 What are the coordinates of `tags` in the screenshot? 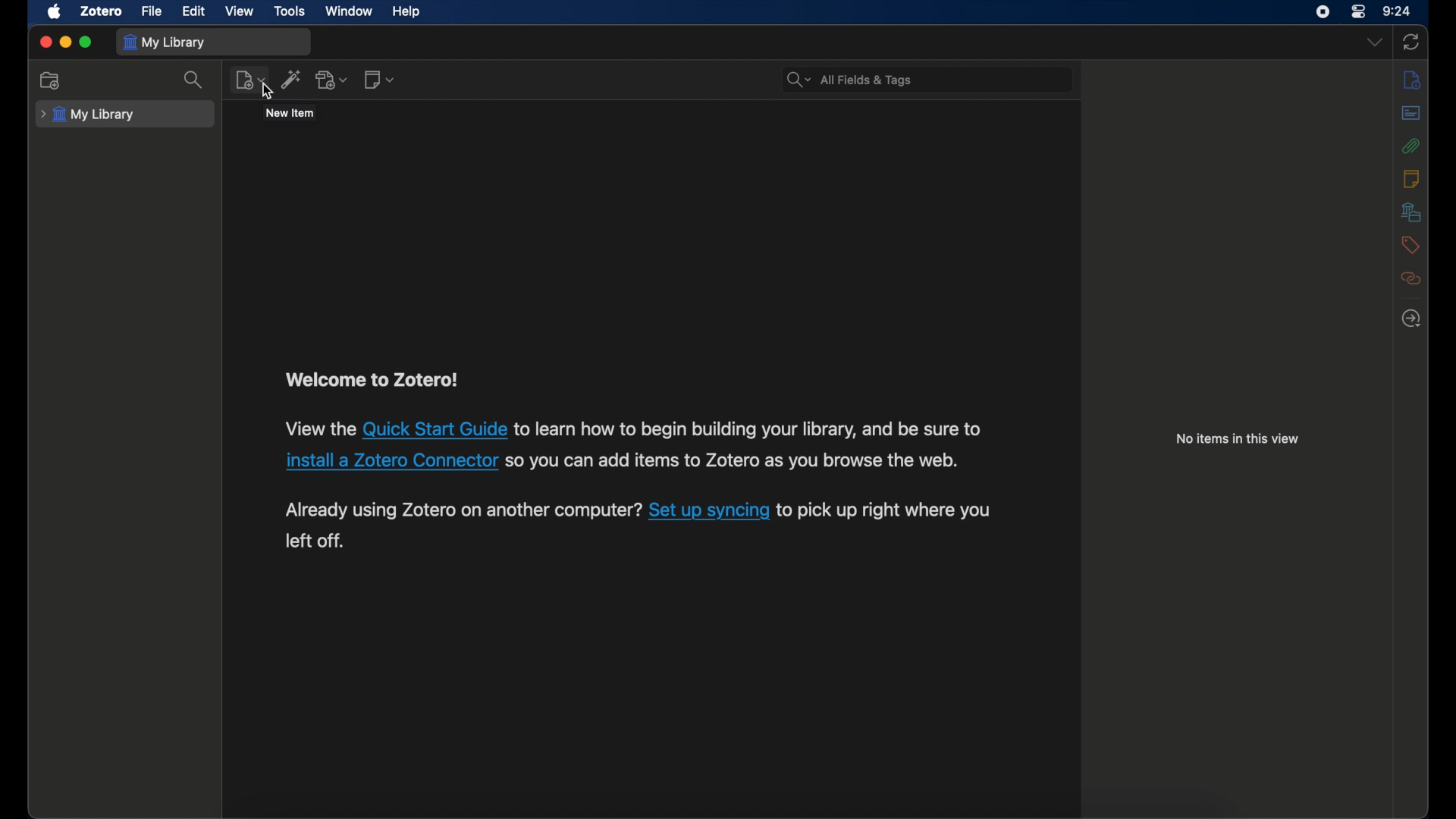 It's located at (1410, 244).